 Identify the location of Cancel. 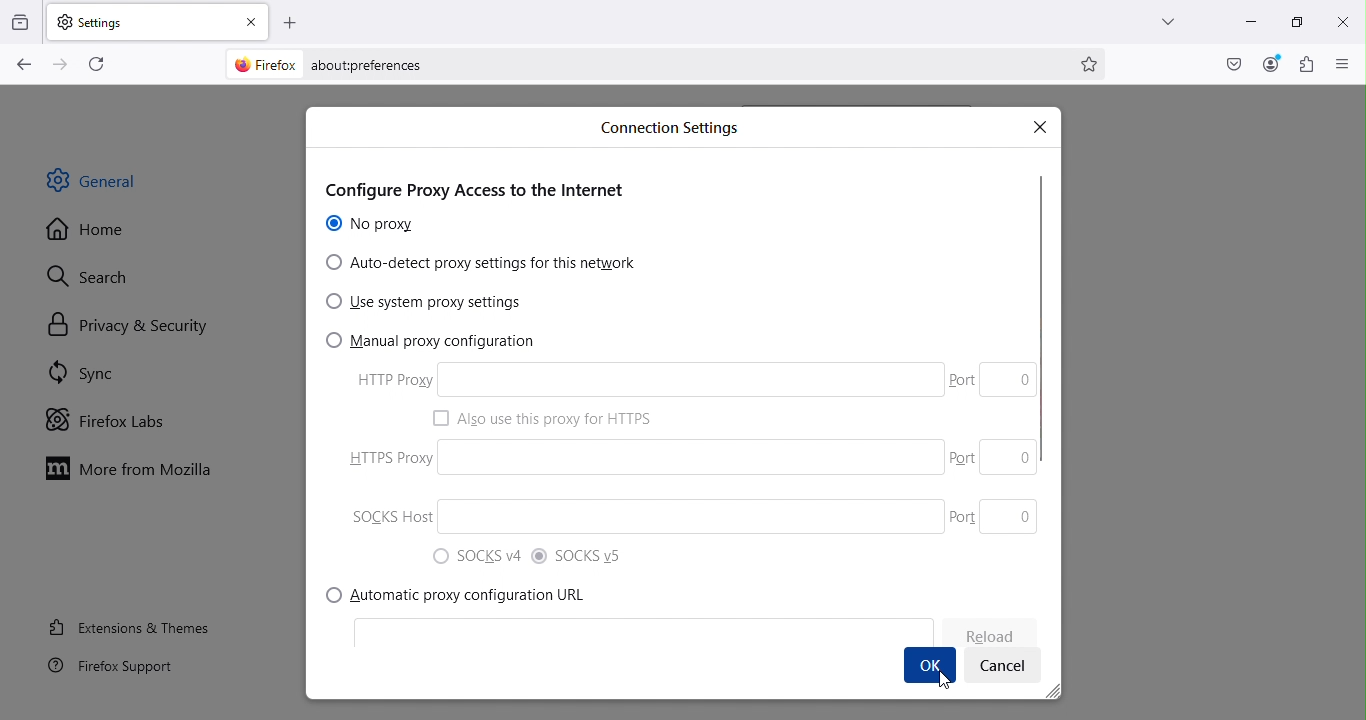
(1001, 668).